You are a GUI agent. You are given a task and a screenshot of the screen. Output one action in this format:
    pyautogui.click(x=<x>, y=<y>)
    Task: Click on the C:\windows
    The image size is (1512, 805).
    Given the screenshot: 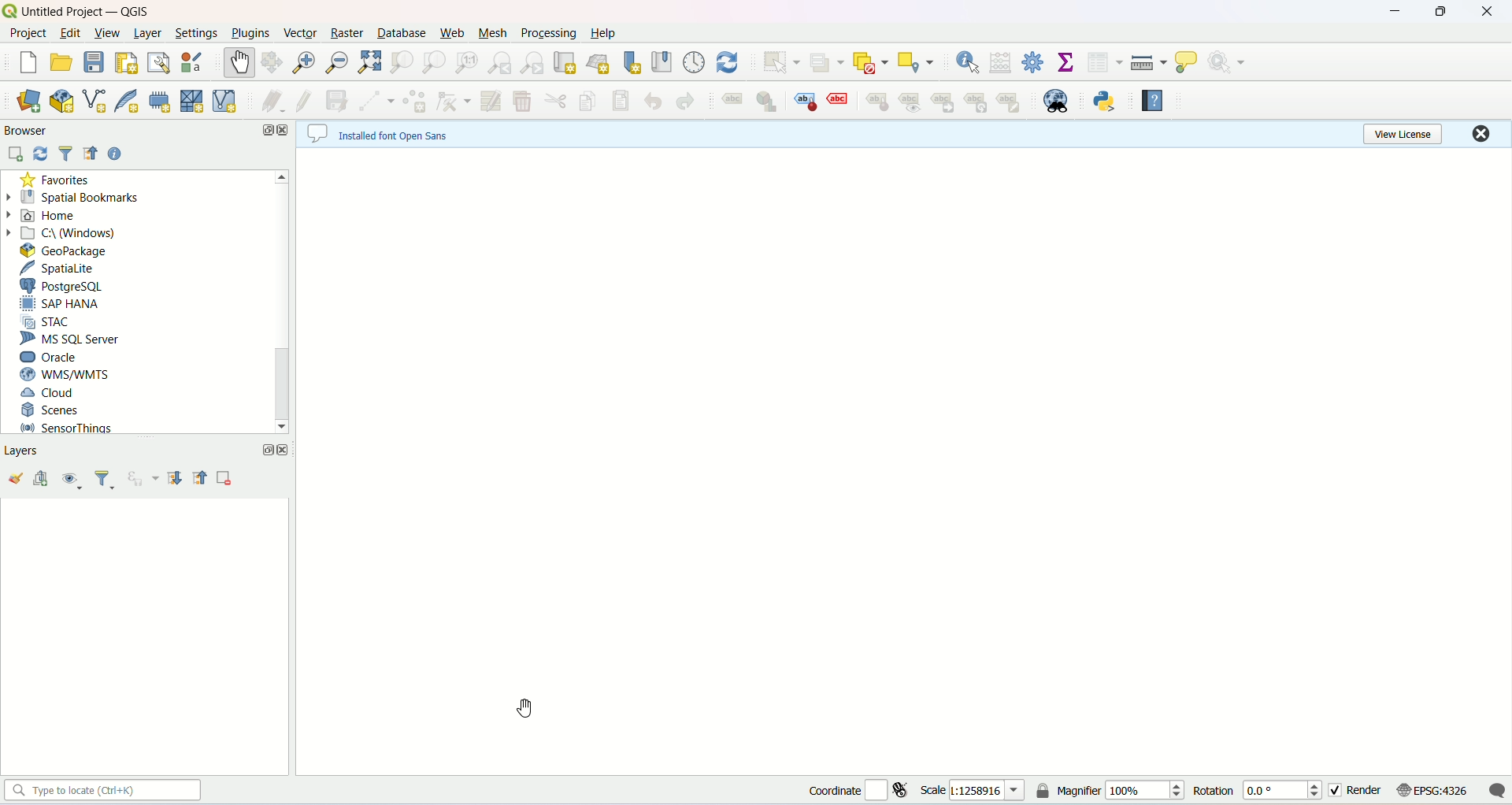 What is the action you would take?
    pyautogui.click(x=64, y=233)
    